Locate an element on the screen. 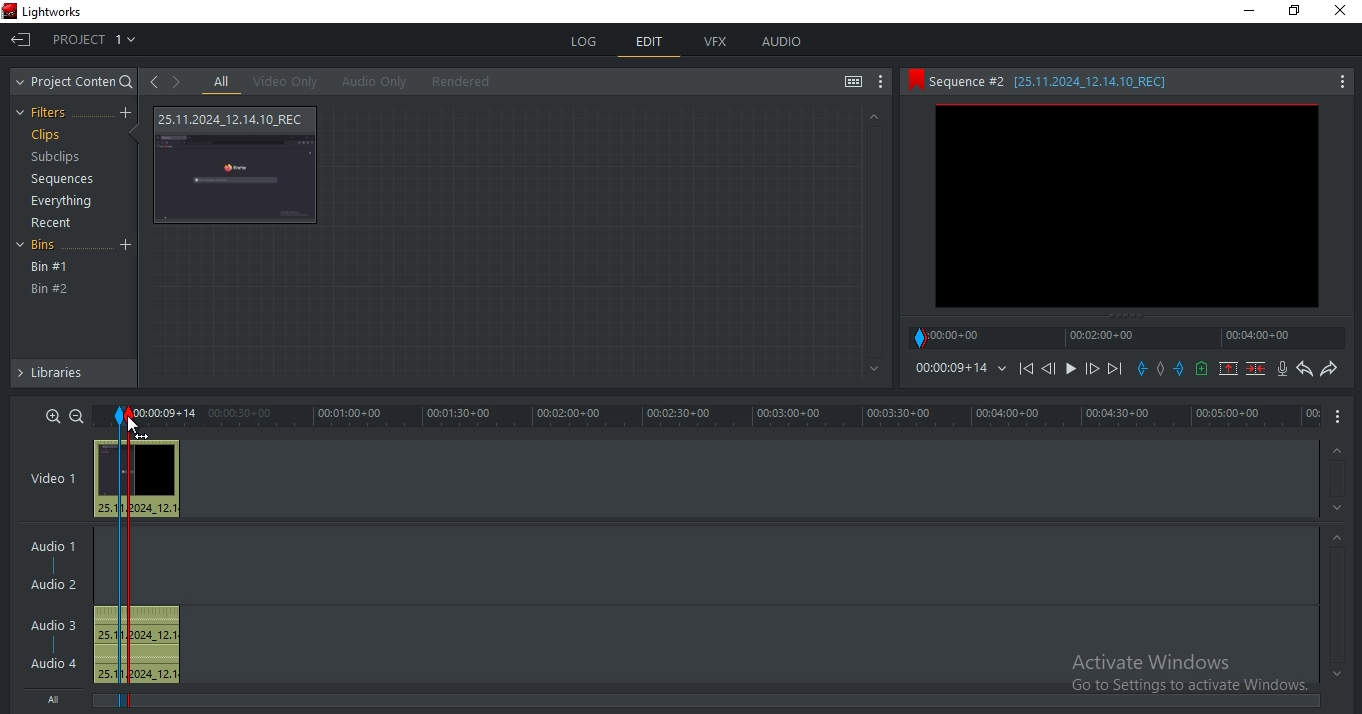  Up is located at coordinates (873, 116).